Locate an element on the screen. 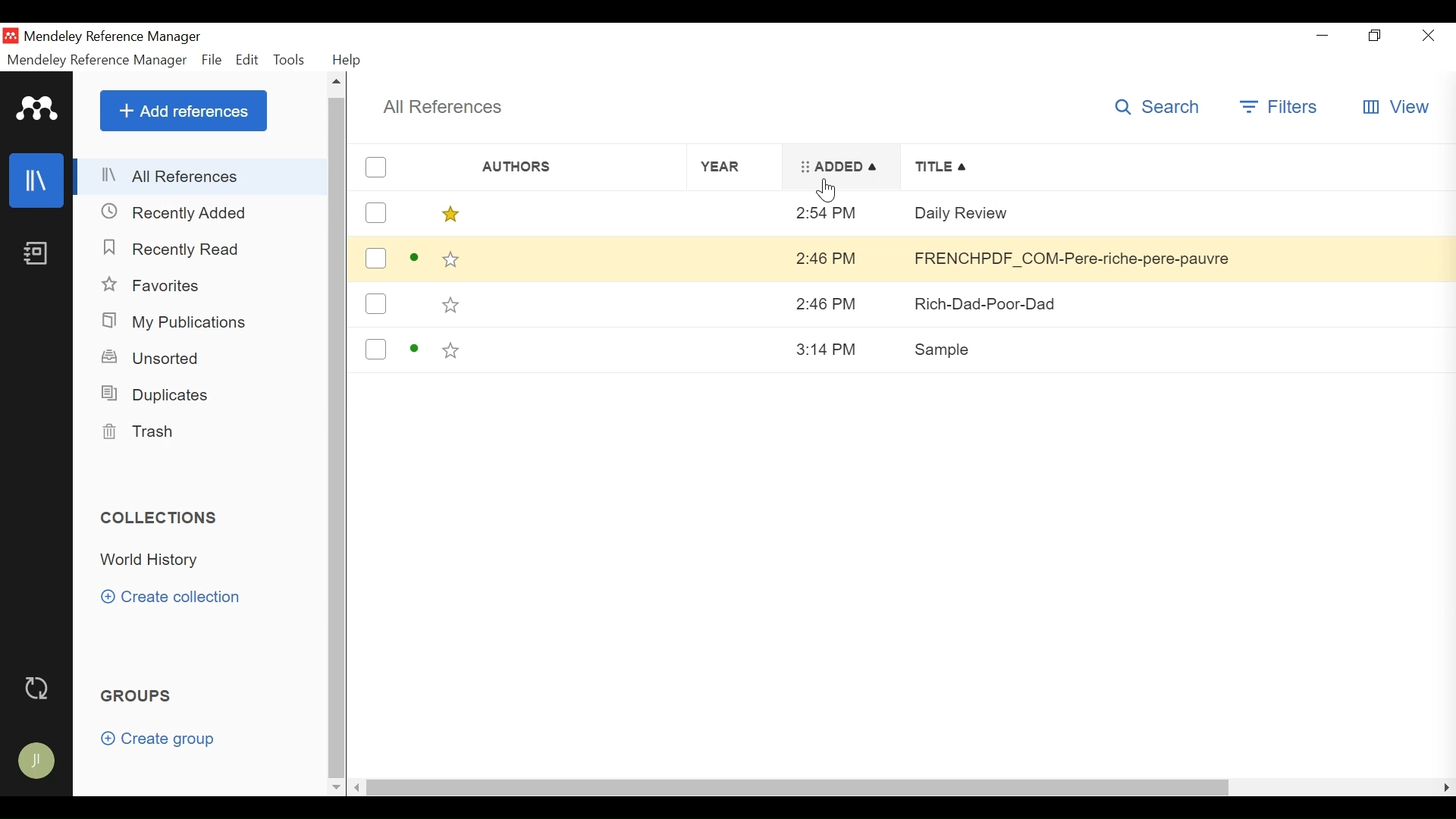  Close is located at coordinates (1429, 35).